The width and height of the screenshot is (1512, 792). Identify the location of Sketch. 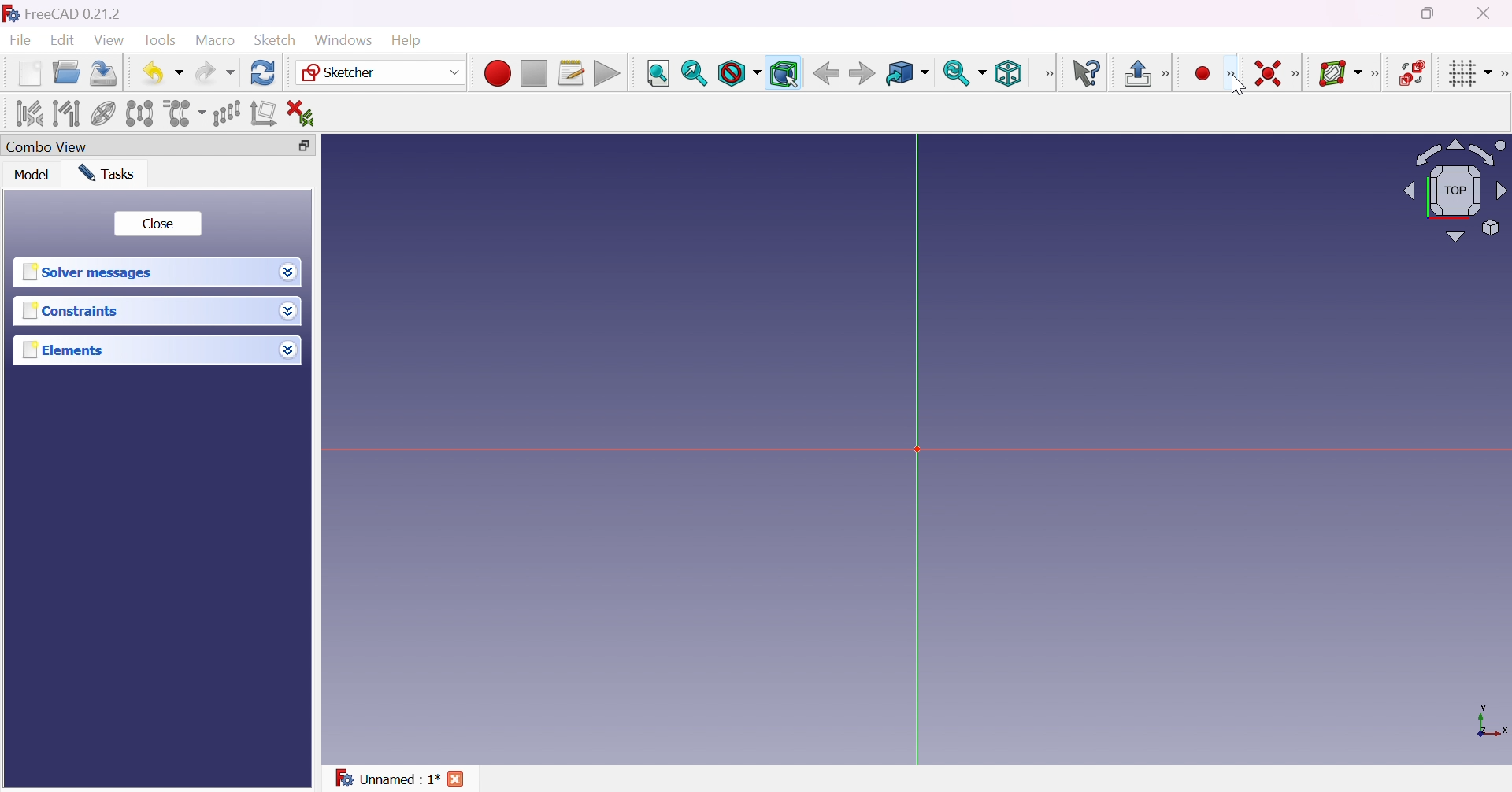
(280, 39).